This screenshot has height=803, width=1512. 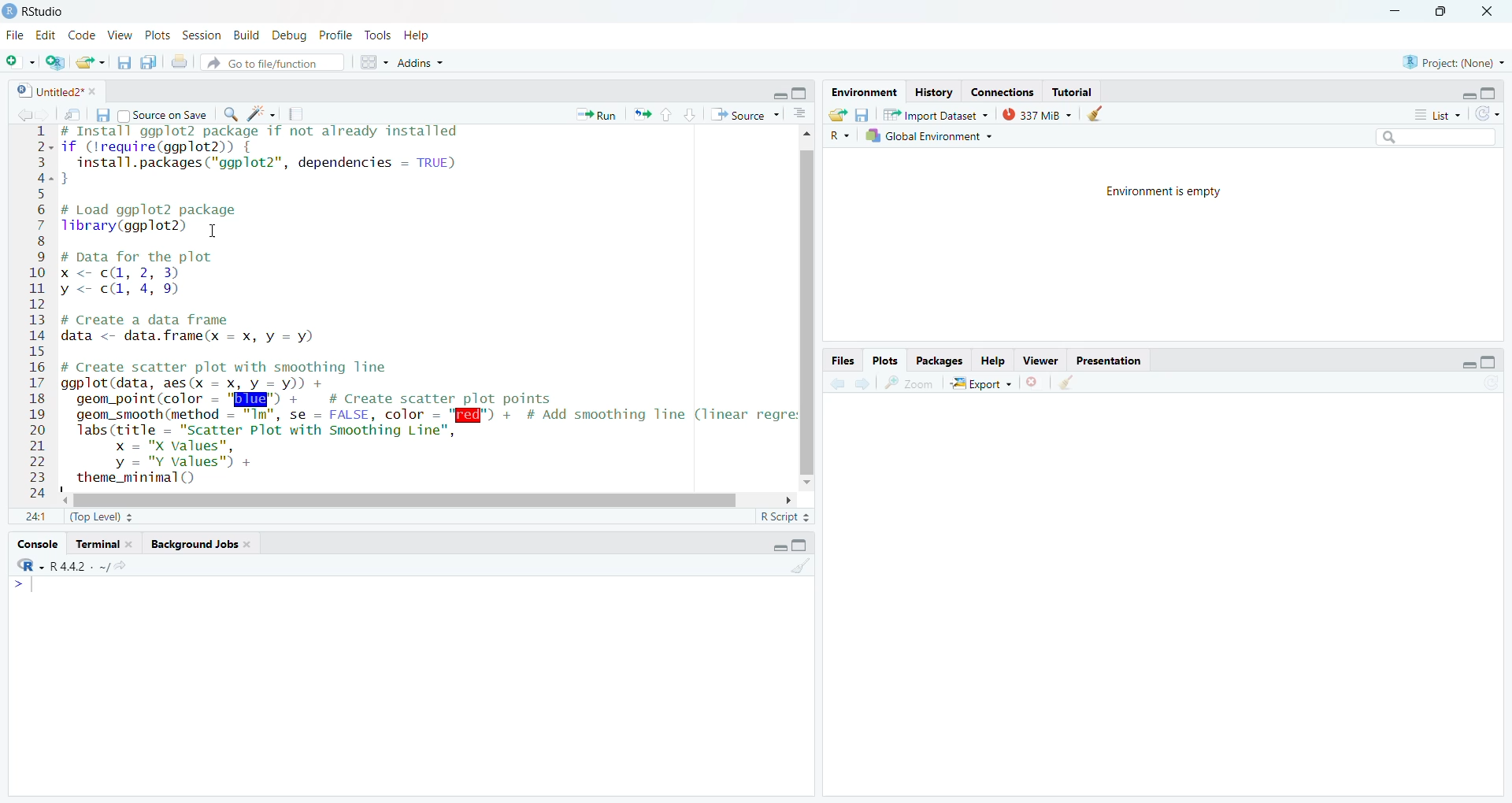 What do you see at coordinates (202, 37) in the screenshot?
I see `Session` at bounding box center [202, 37].